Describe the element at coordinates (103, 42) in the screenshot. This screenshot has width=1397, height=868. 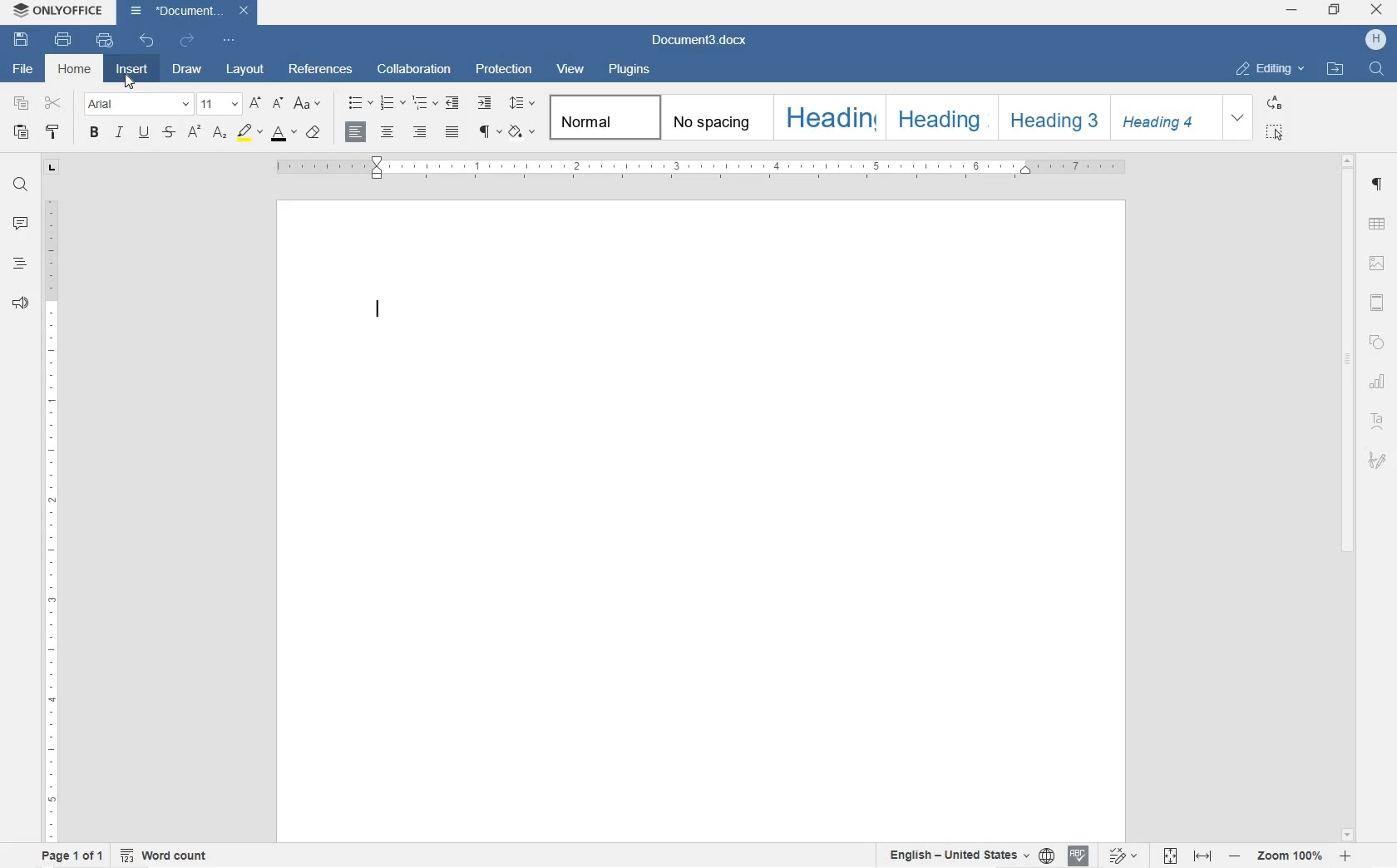
I see `QUICK PRINT` at that location.